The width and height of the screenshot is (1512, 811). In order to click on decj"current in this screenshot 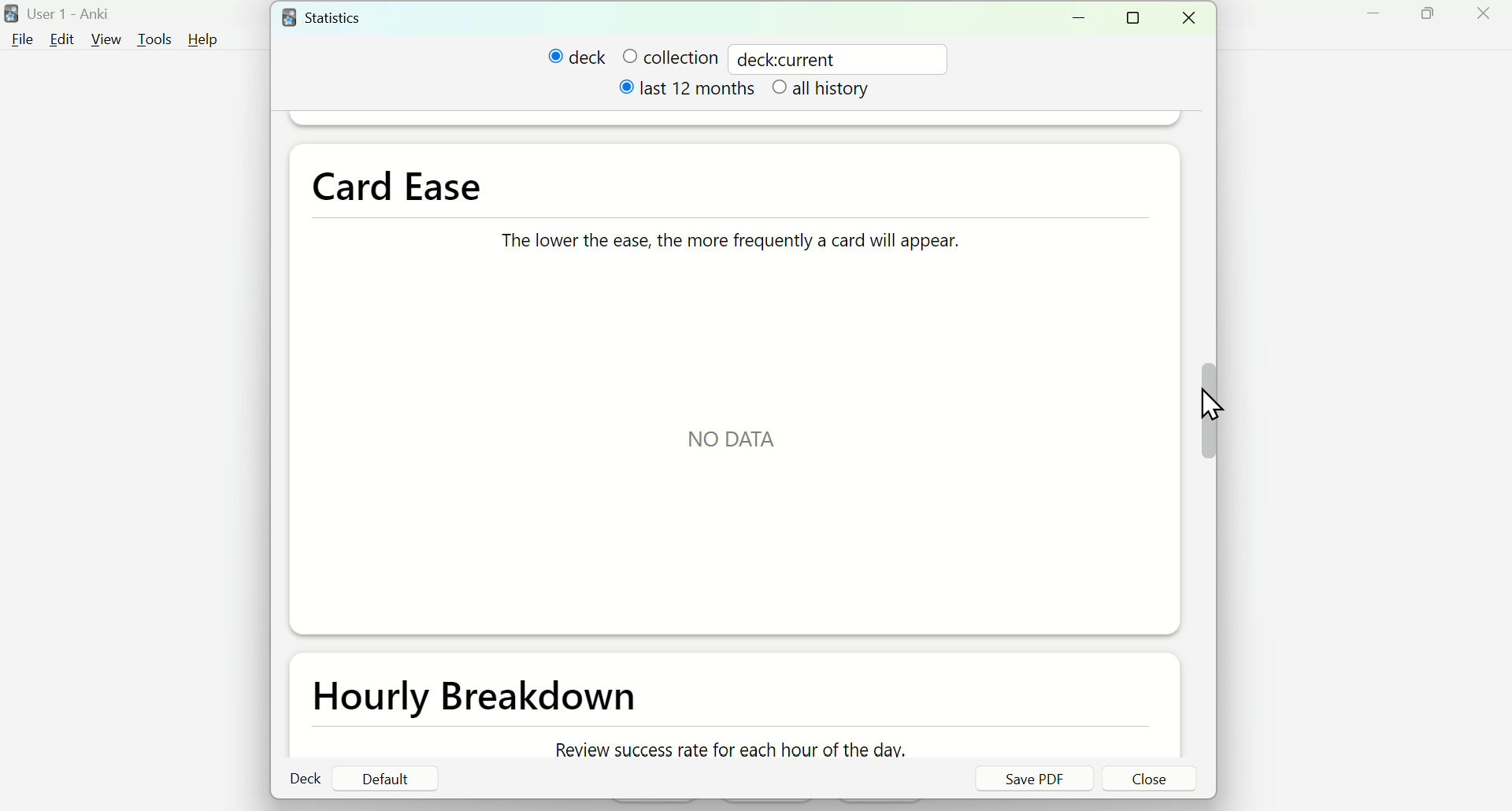, I will do `click(794, 57)`.